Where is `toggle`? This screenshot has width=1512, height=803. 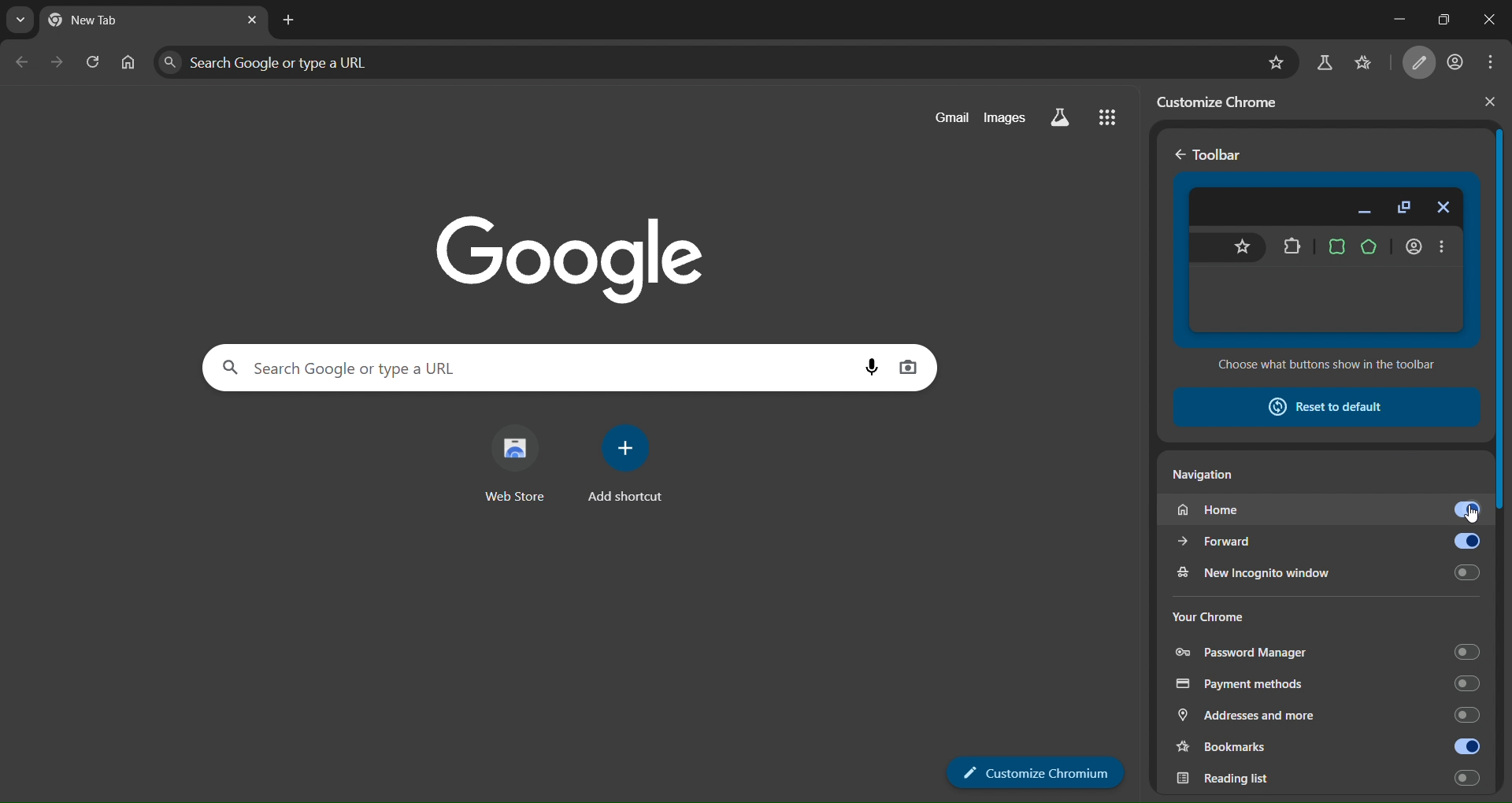
toggle is located at coordinates (1469, 542).